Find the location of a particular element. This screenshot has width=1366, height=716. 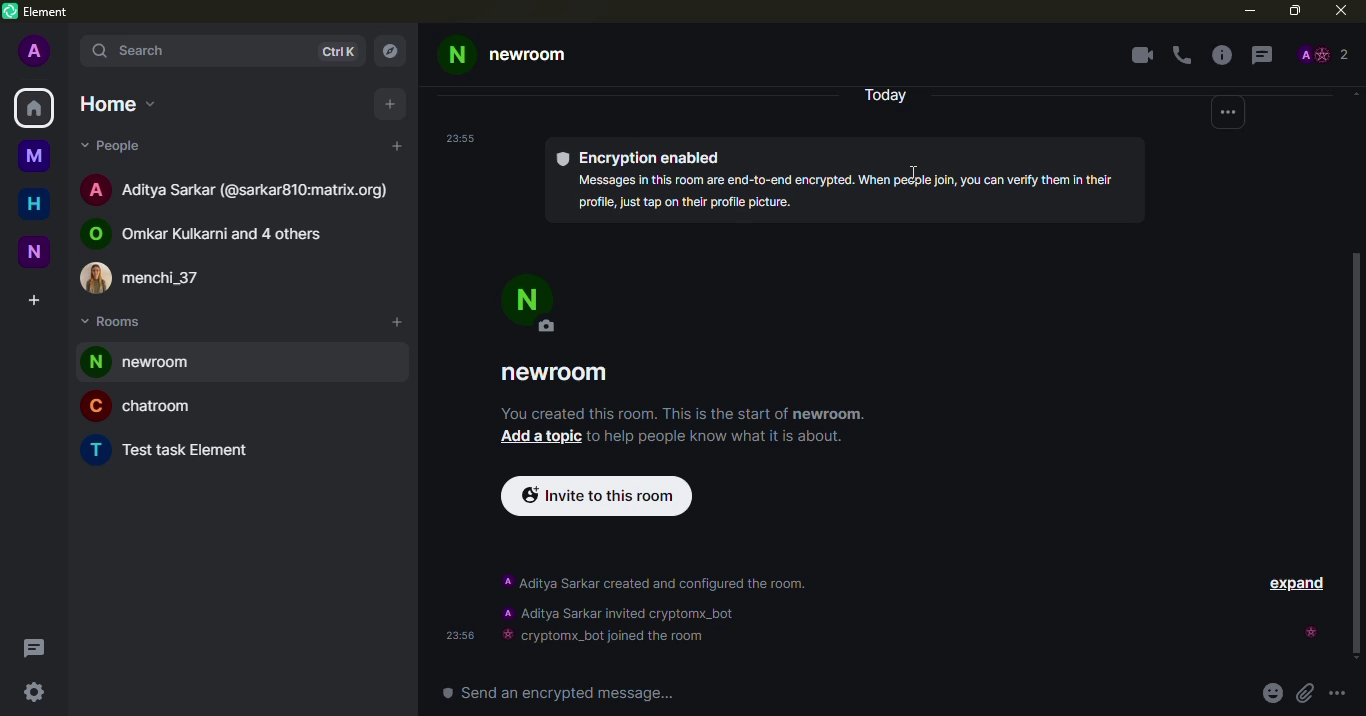

navigator is located at coordinates (394, 46).